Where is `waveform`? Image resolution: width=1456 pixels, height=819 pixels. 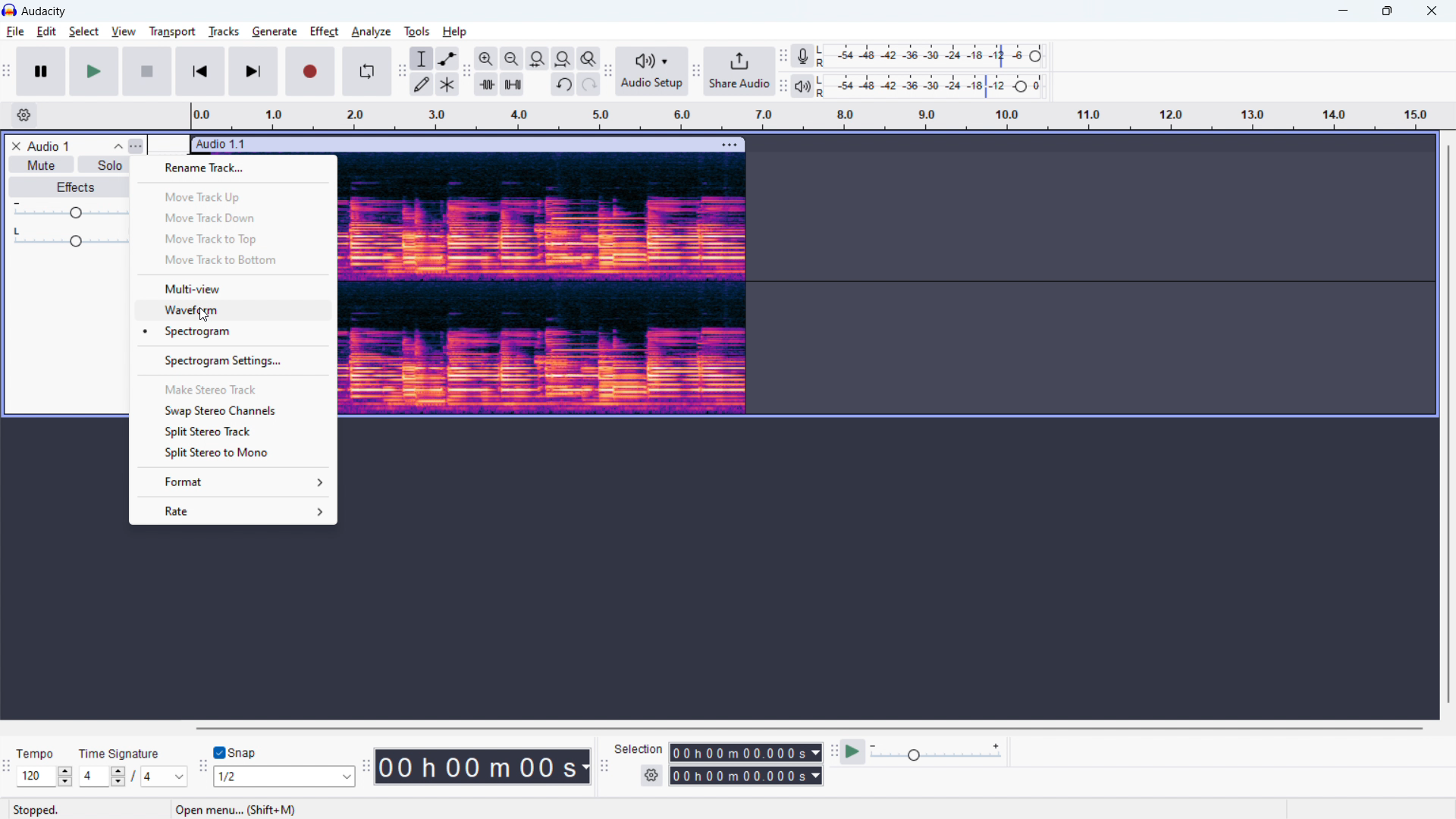
waveform is located at coordinates (235, 309).